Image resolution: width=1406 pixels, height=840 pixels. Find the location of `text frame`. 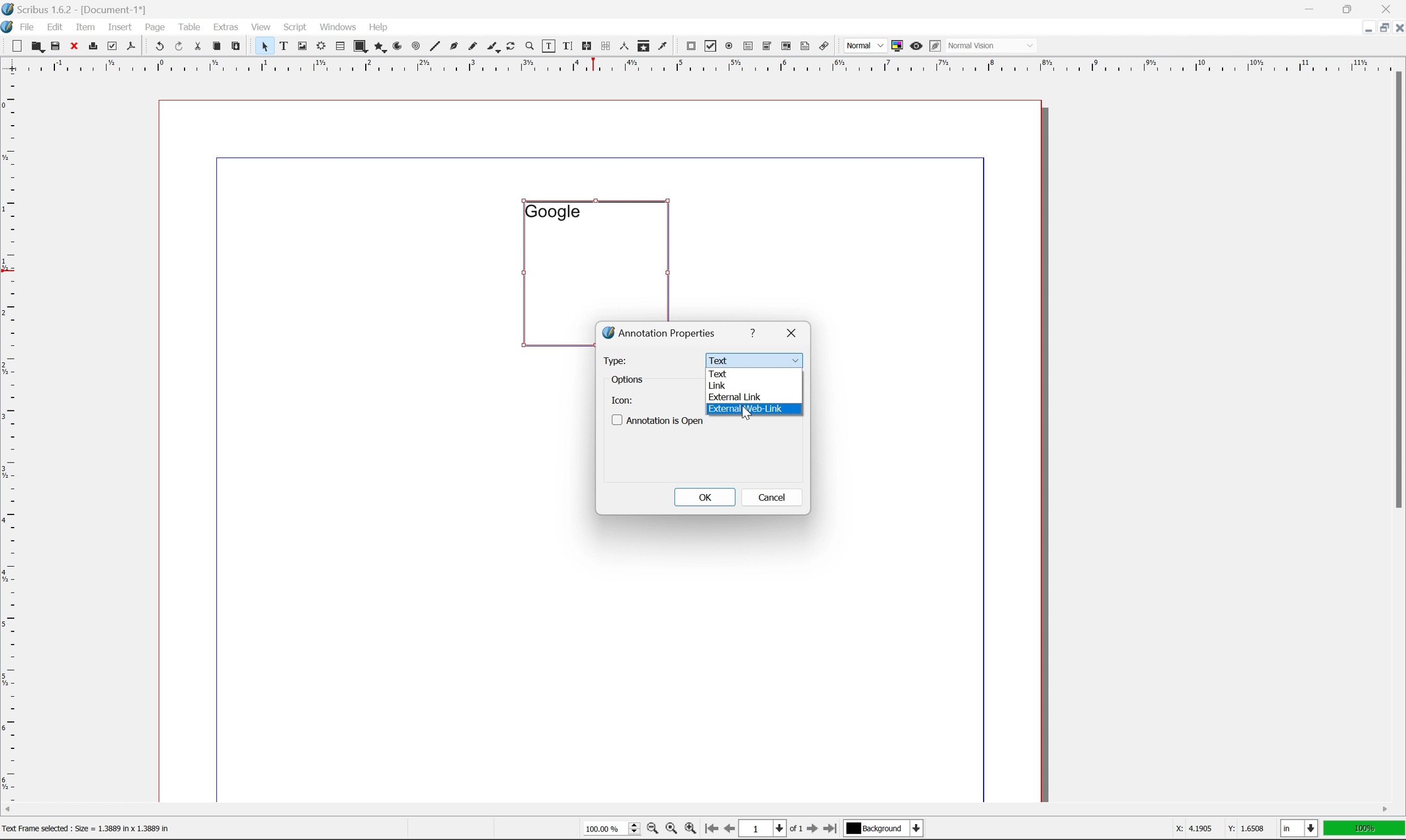

text frame is located at coordinates (284, 45).